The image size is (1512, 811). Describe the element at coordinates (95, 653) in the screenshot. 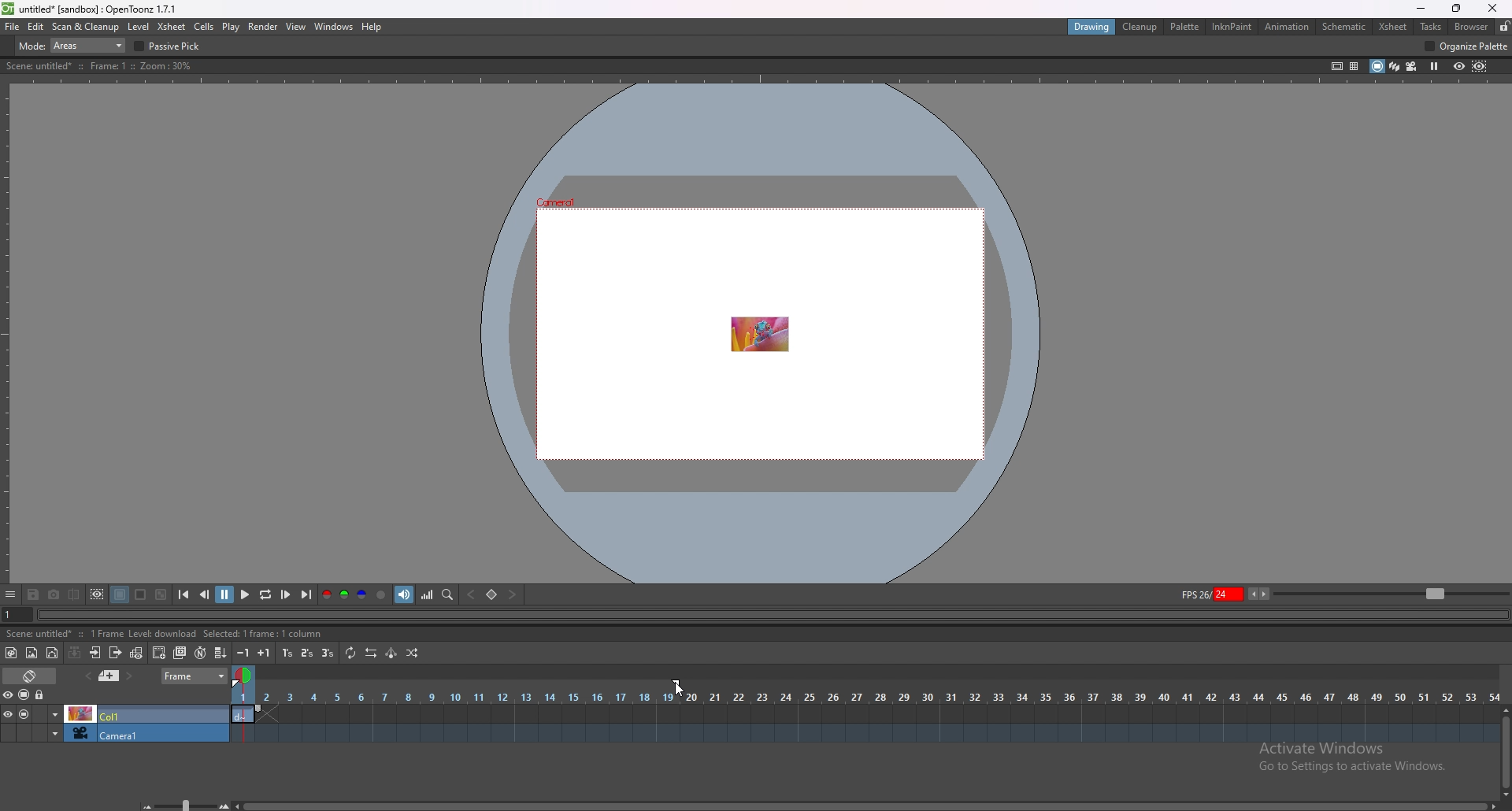

I see `open subsheet` at that location.